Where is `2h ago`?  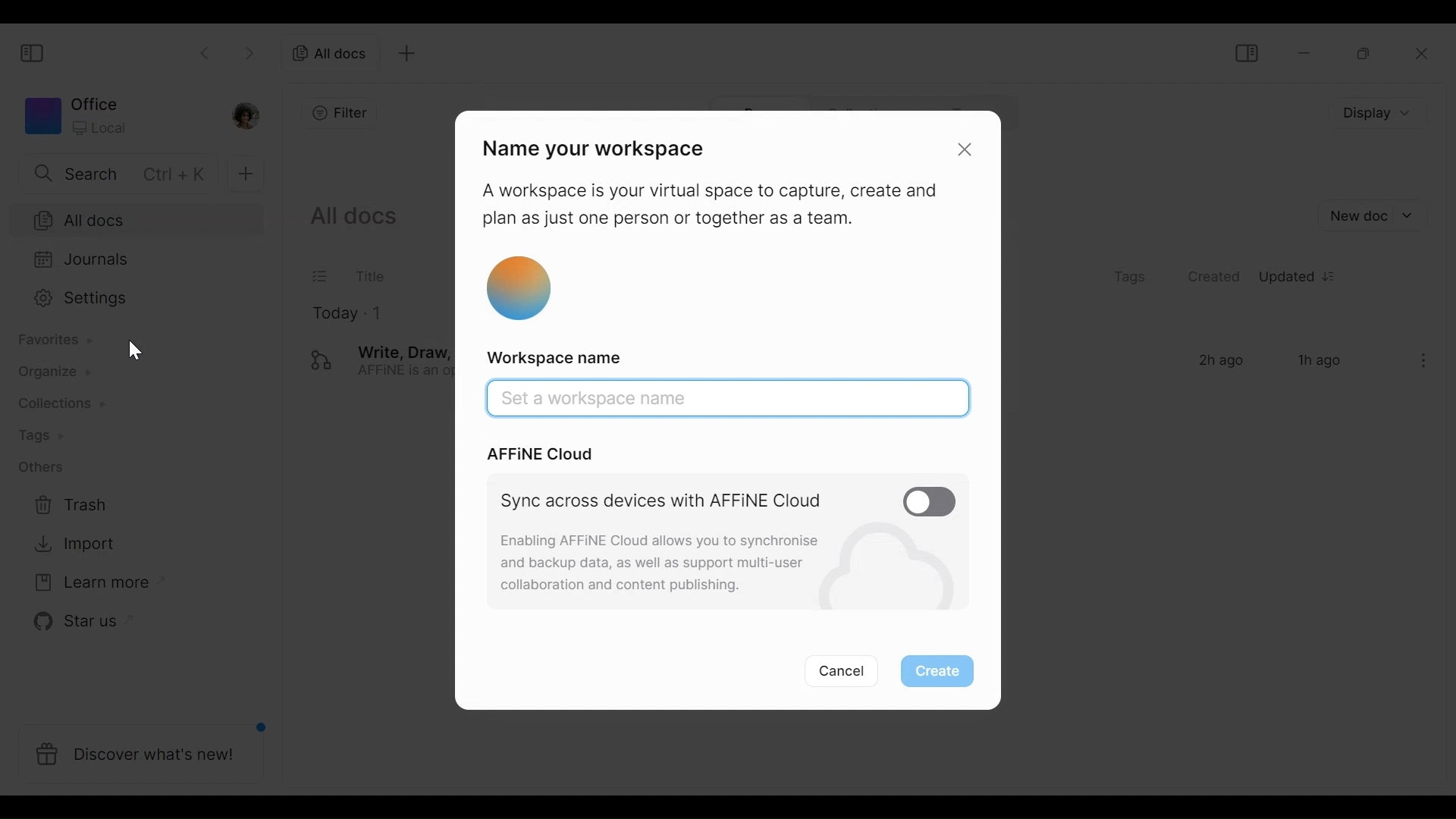 2h ago is located at coordinates (1219, 362).